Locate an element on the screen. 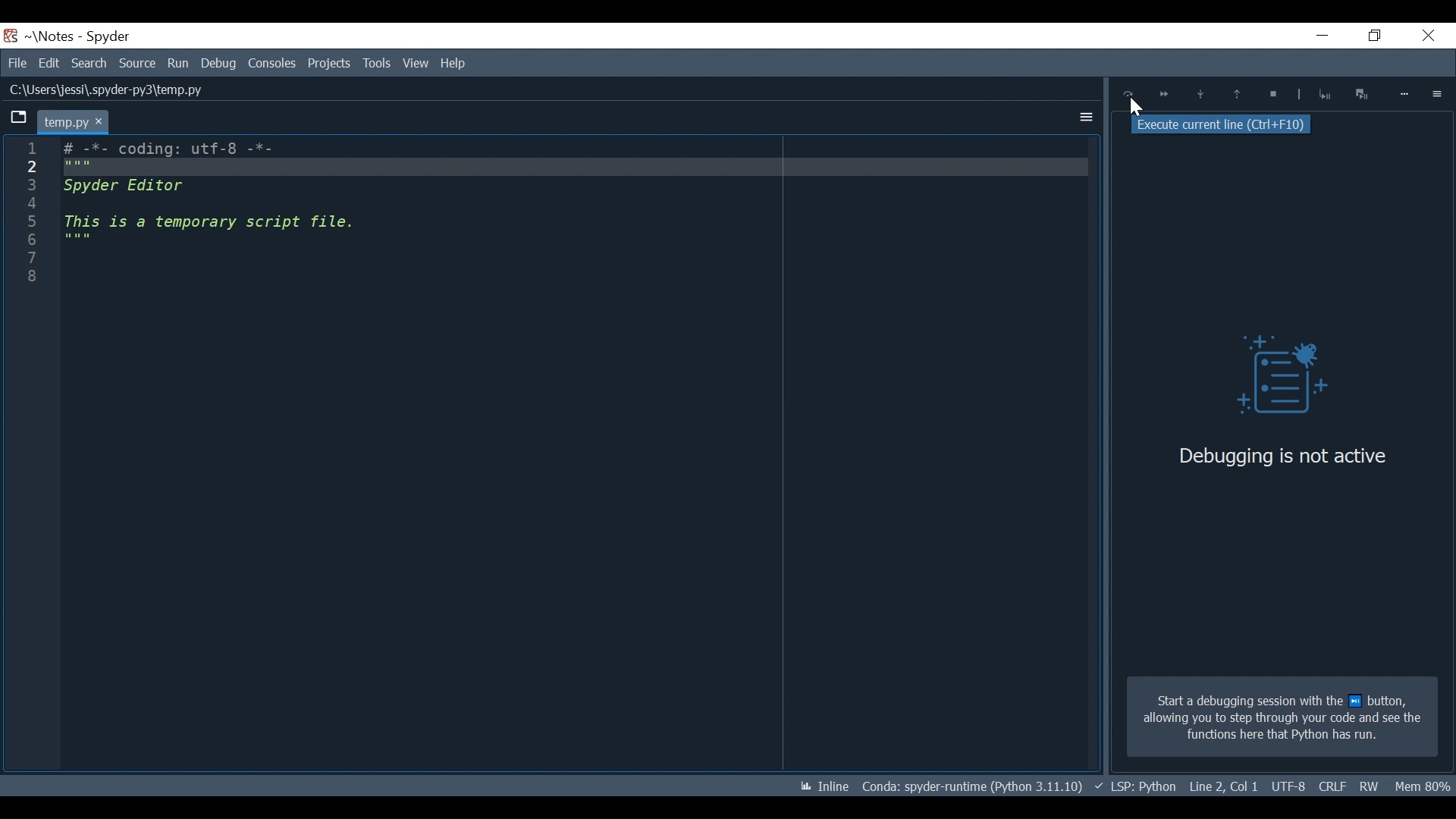 The image size is (1456, 819). Debugging is not active is located at coordinates (1282, 456).